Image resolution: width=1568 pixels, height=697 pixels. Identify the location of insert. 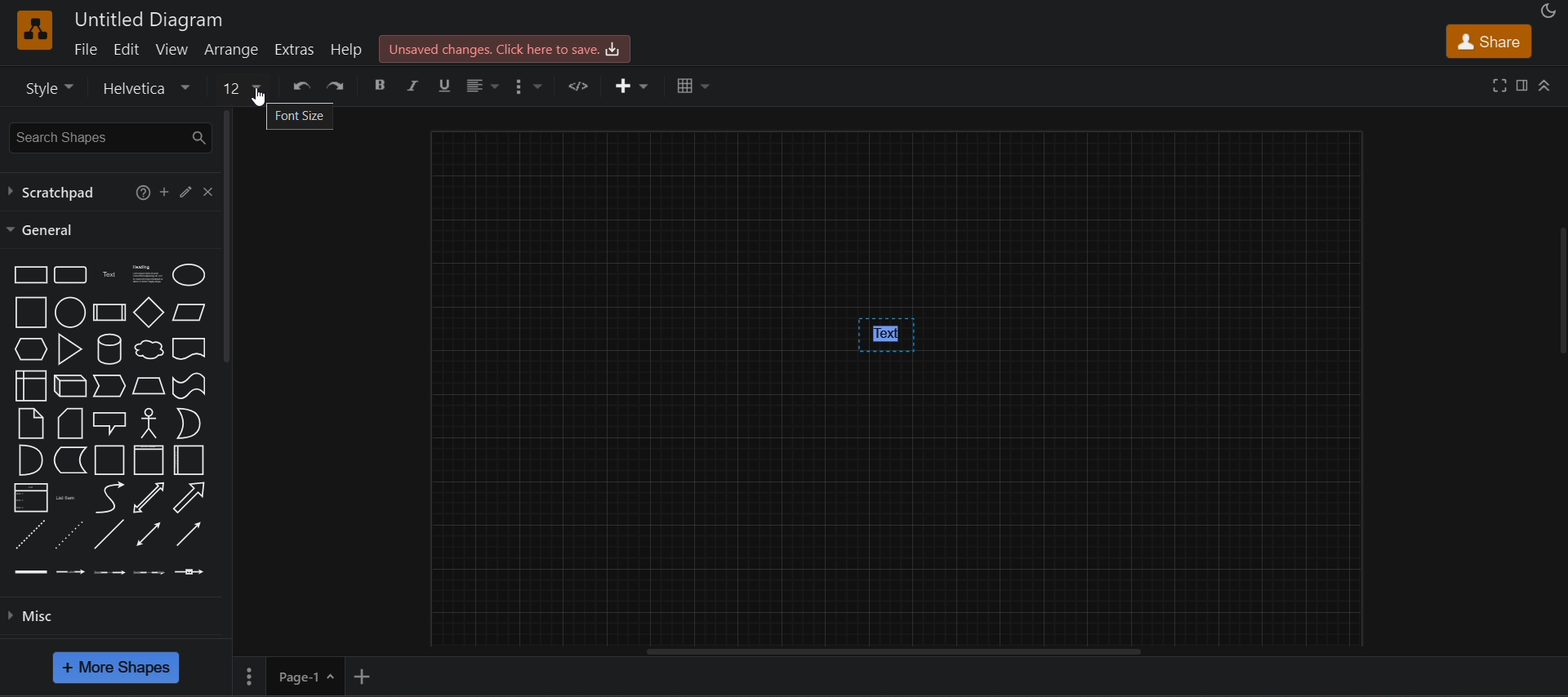
(632, 86).